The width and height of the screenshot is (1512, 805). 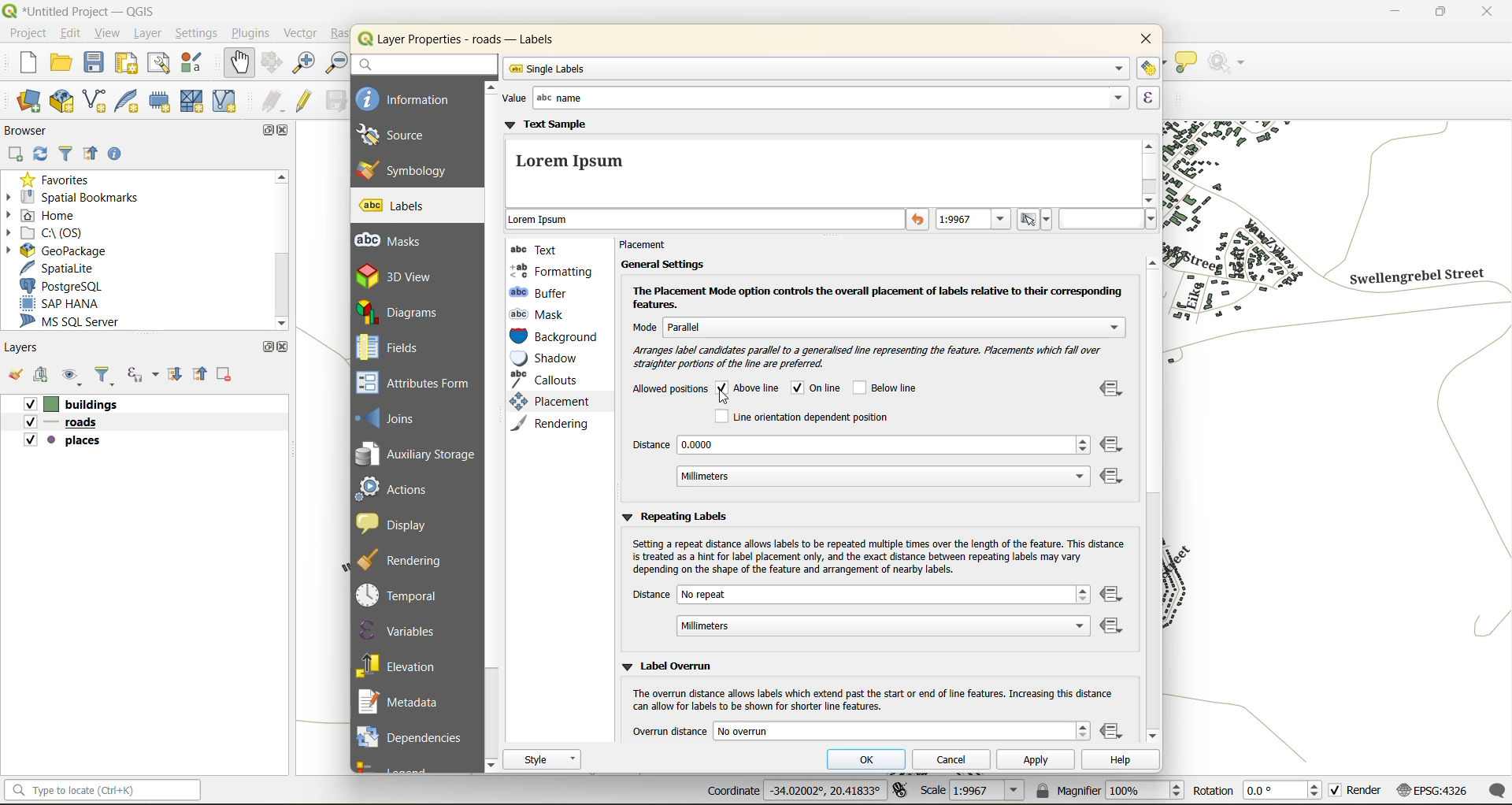 I want to click on toggle edits, so click(x=307, y=102).